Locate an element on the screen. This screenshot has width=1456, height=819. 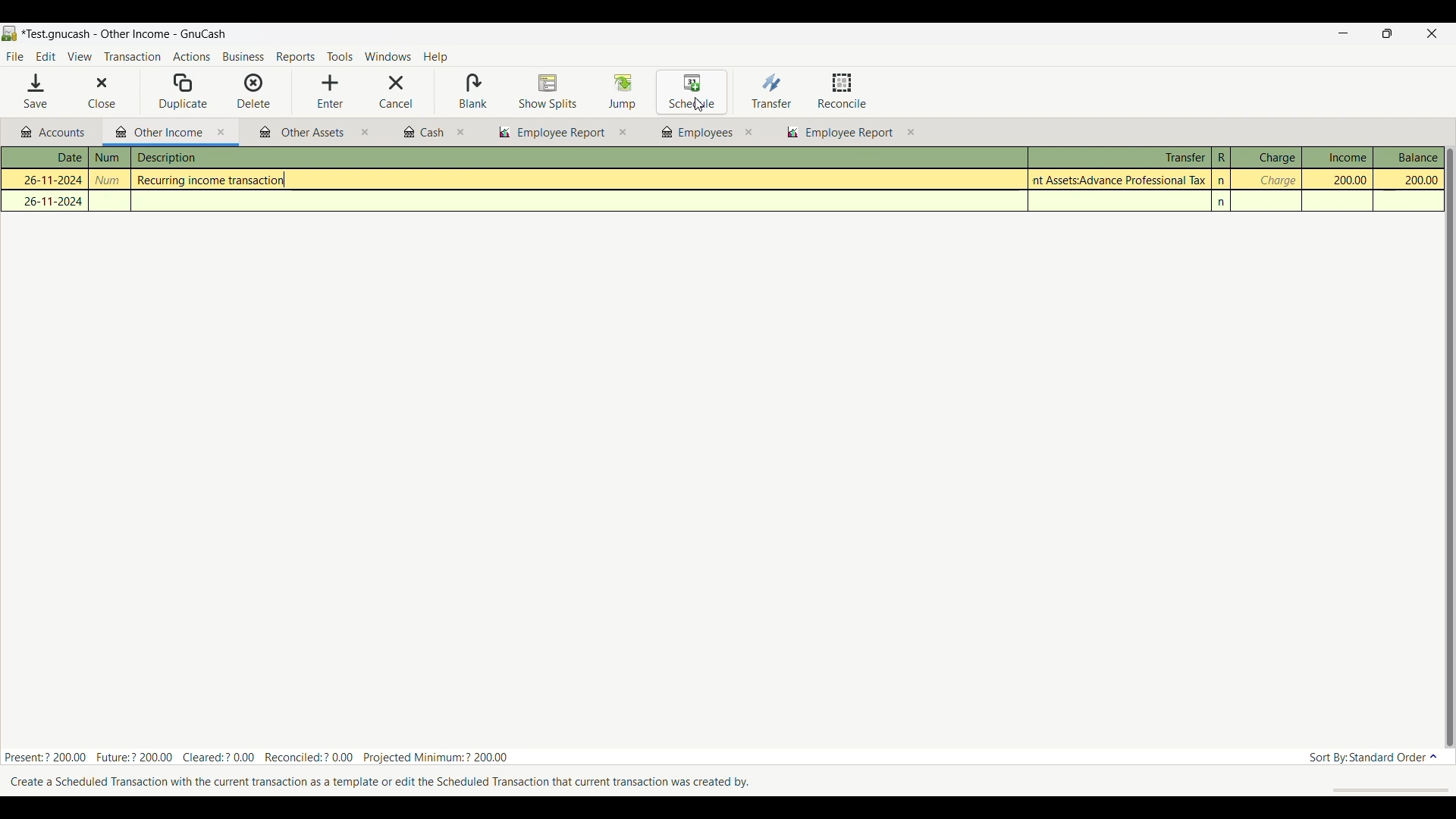
num is located at coordinates (111, 180).